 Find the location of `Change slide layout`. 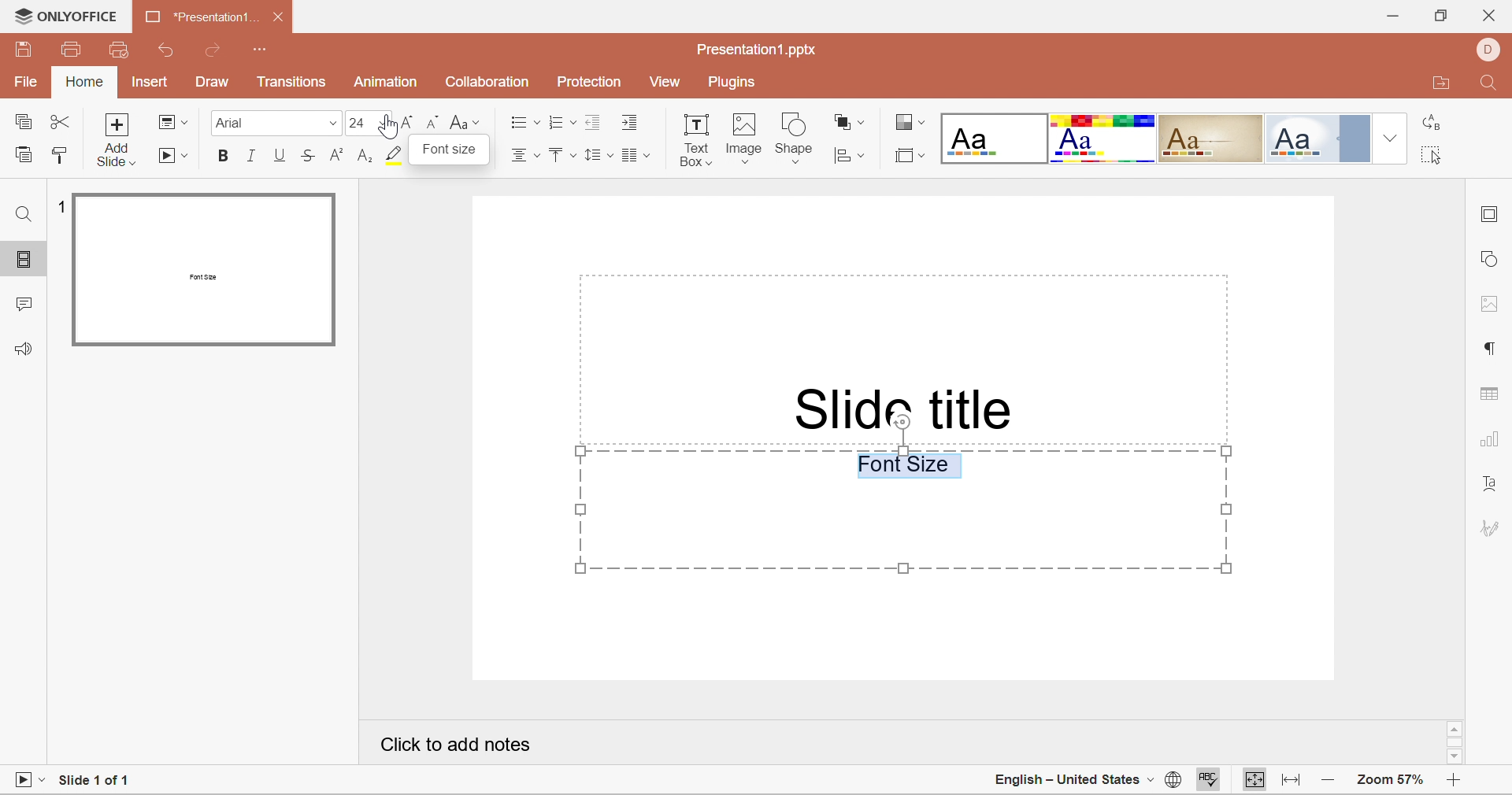

Change slide layout is located at coordinates (173, 121).